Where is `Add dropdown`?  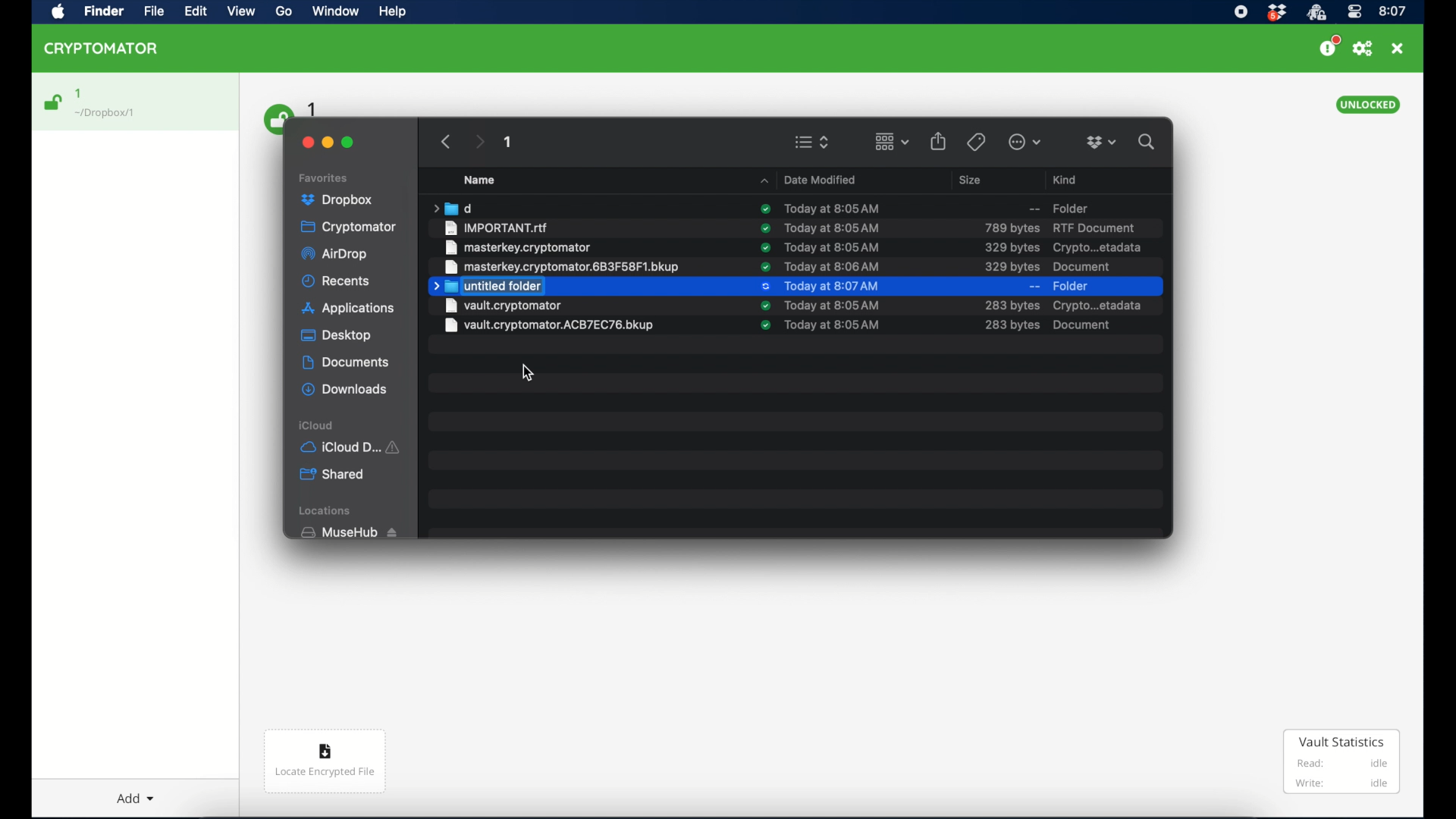
Add dropdown is located at coordinates (139, 792).